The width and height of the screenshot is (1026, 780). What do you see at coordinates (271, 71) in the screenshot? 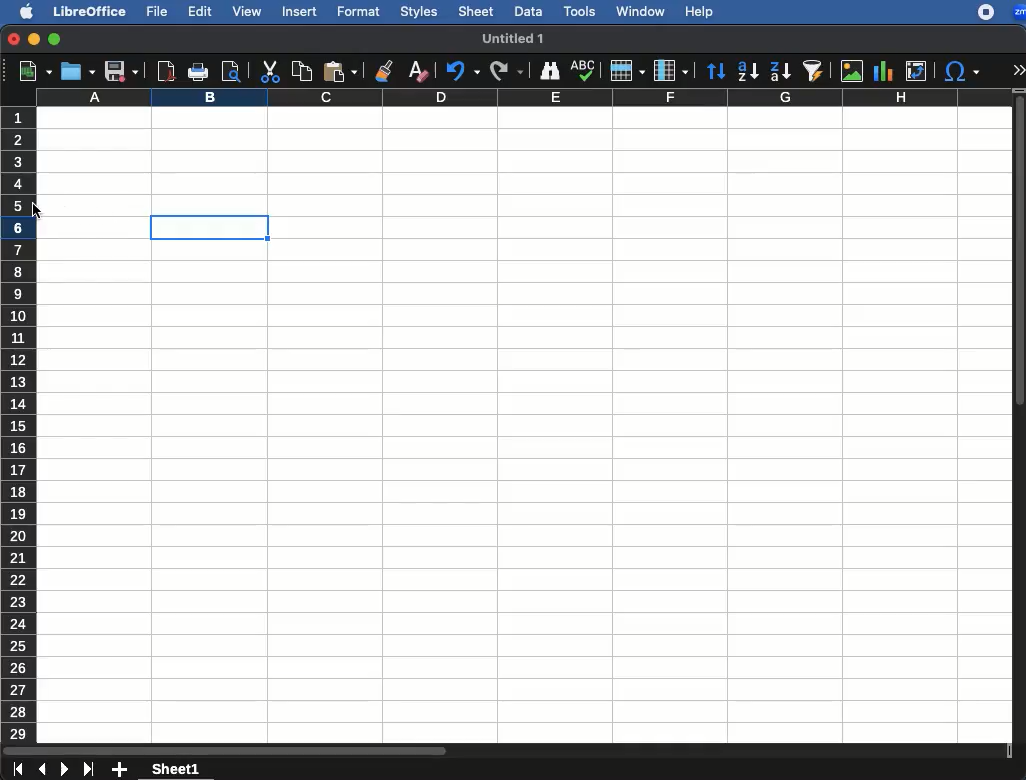
I see `cut` at bounding box center [271, 71].